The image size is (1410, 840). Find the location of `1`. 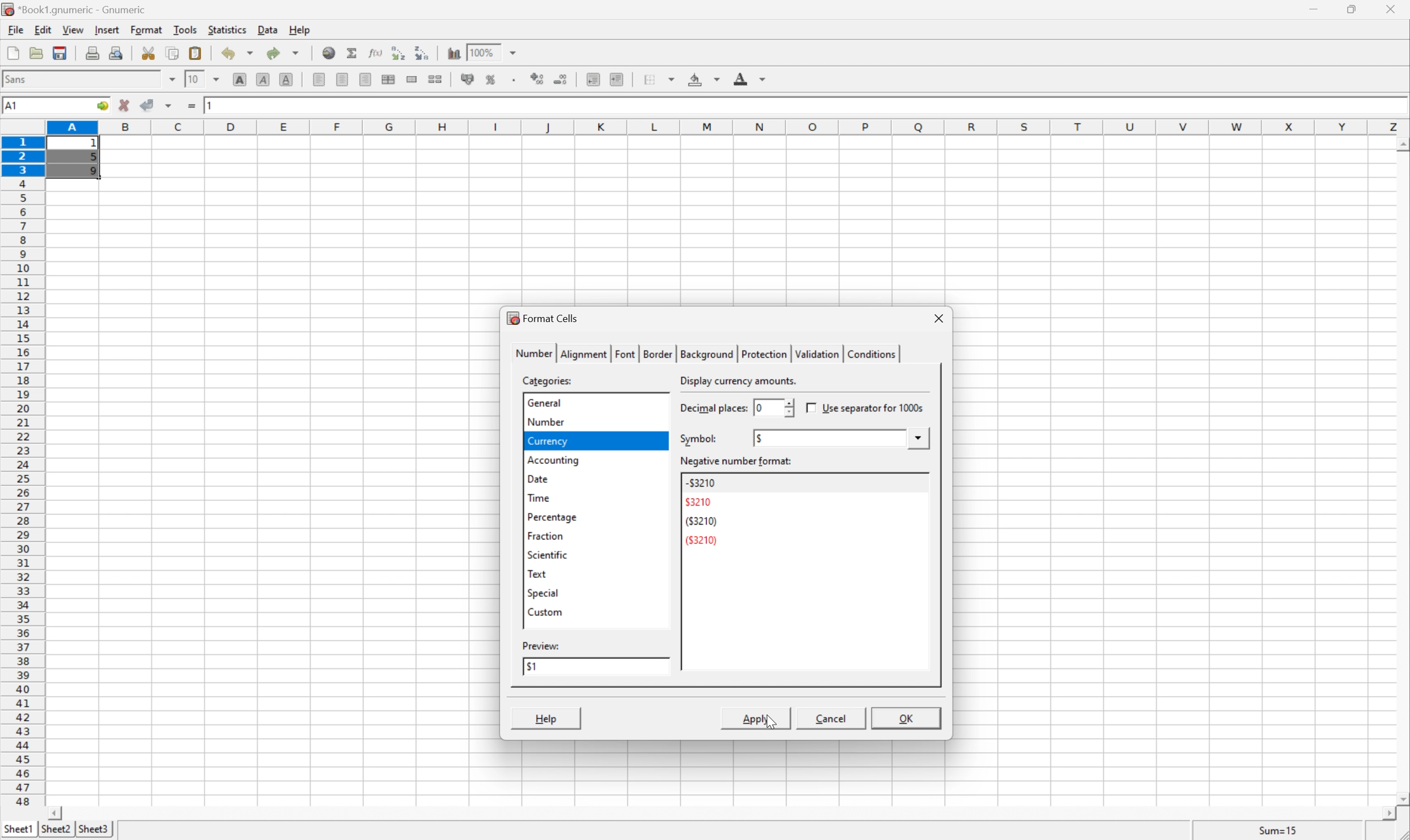

1 is located at coordinates (530, 666).